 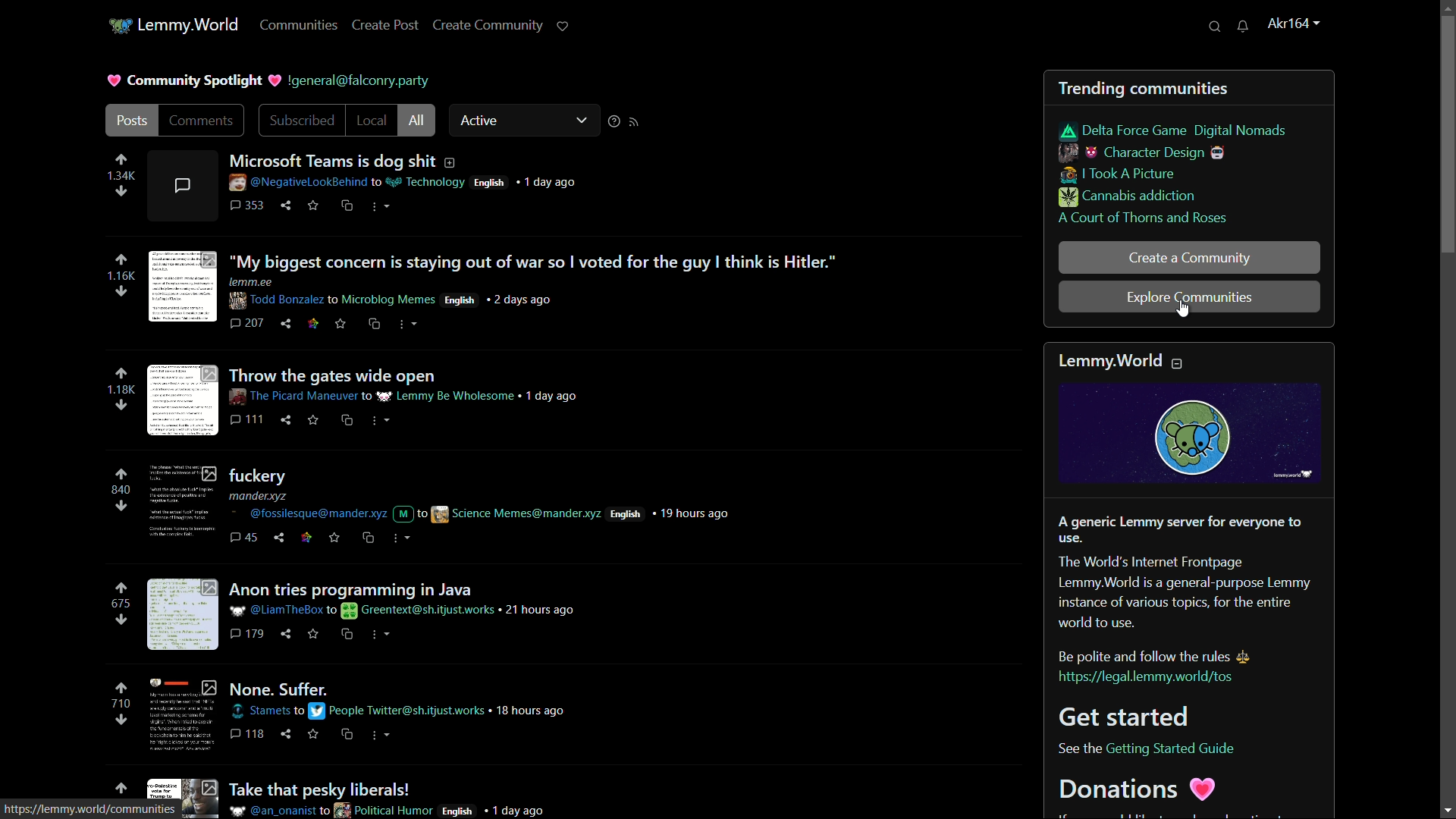 What do you see at coordinates (121, 704) in the screenshot?
I see `number of votes` at bounding box center [121, 704].